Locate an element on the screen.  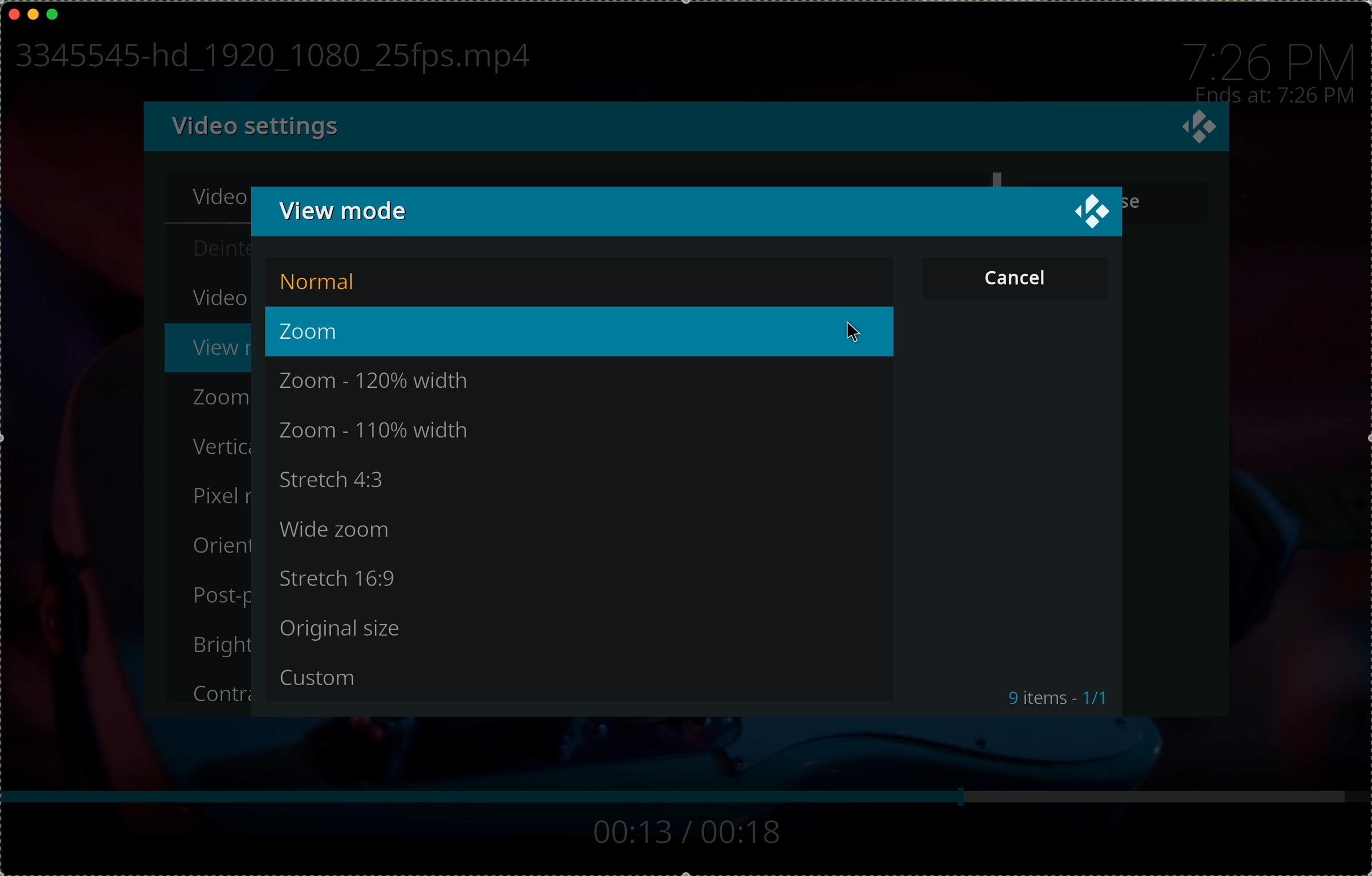
time is located at coordinates (1271, 97).